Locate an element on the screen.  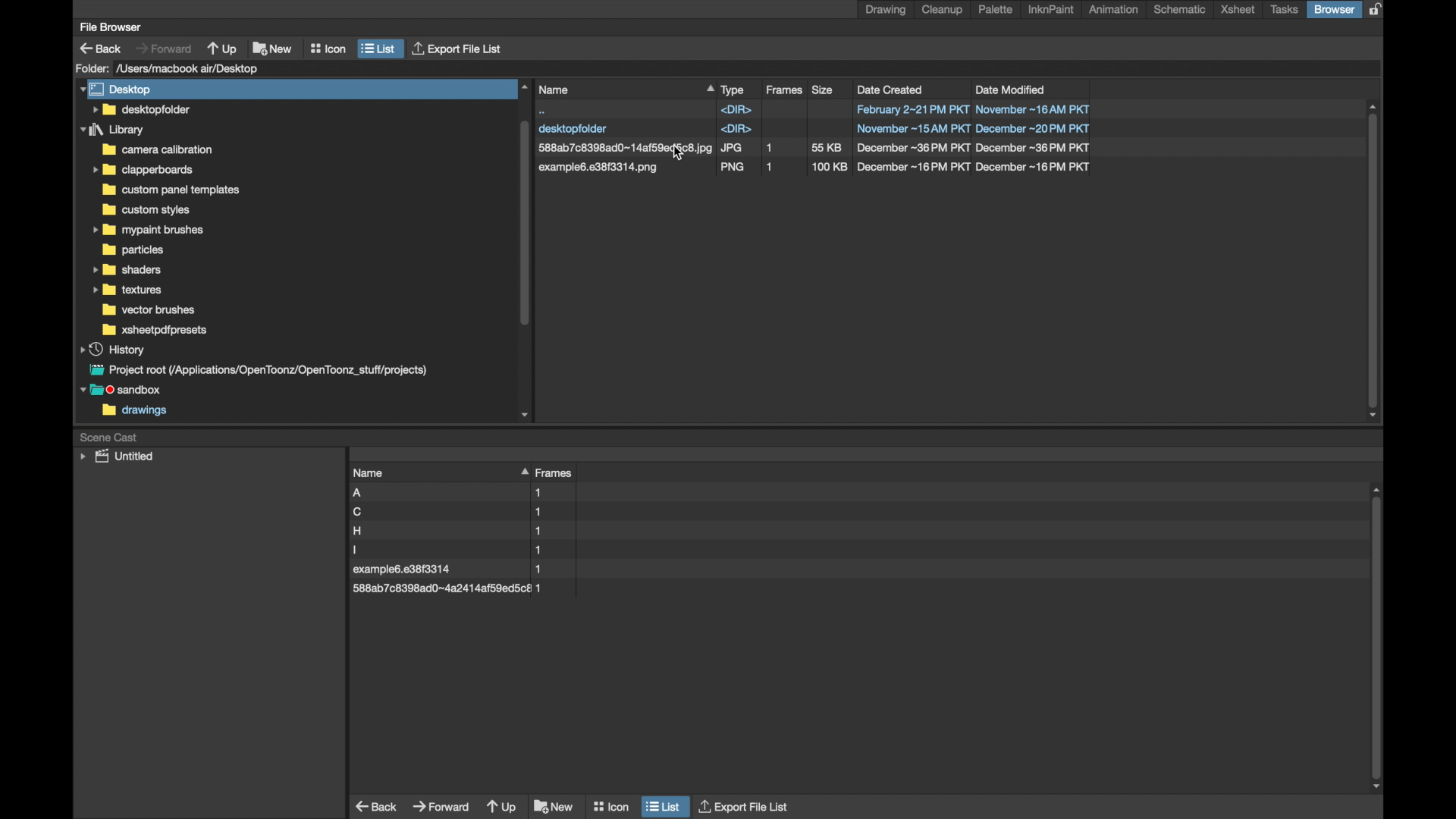
file is located at coordinates (815, 148).